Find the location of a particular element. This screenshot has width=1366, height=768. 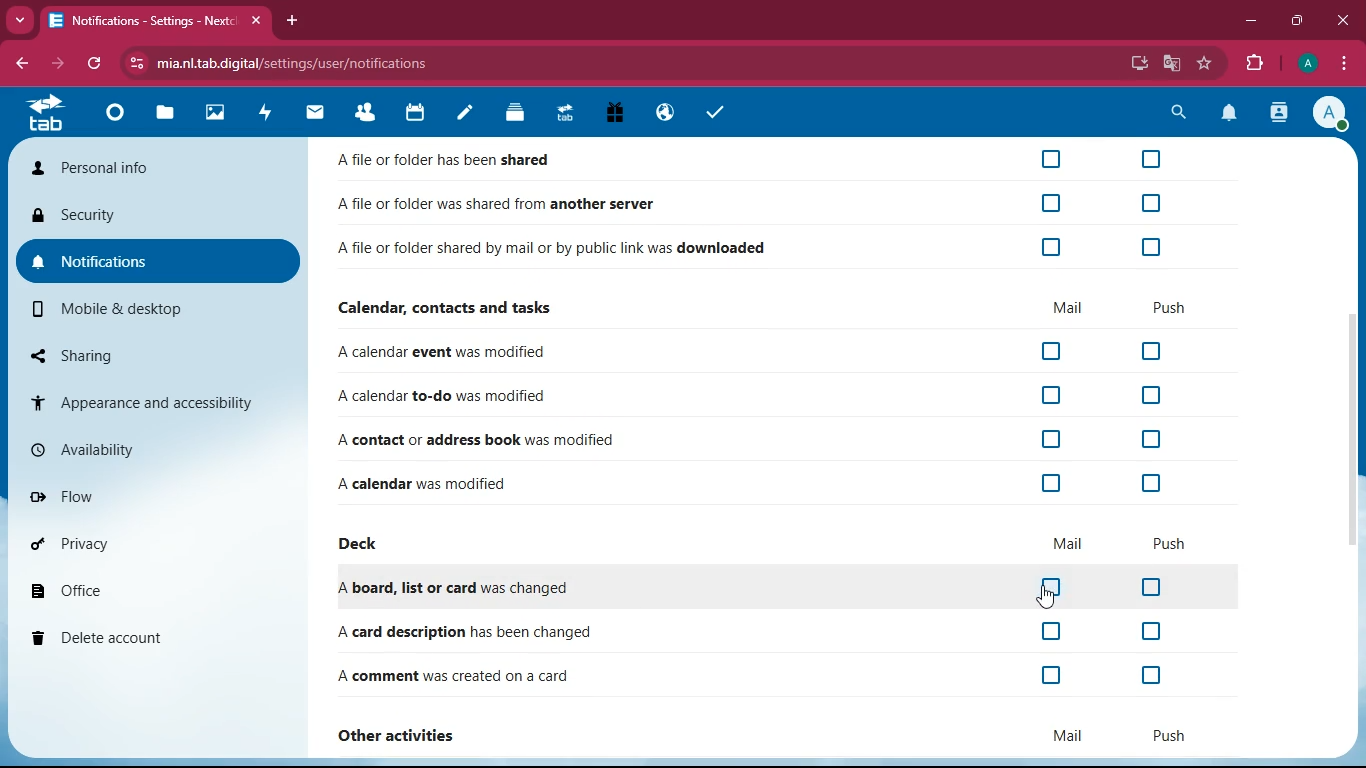

Upgrade is located at coordinates (566, 115).